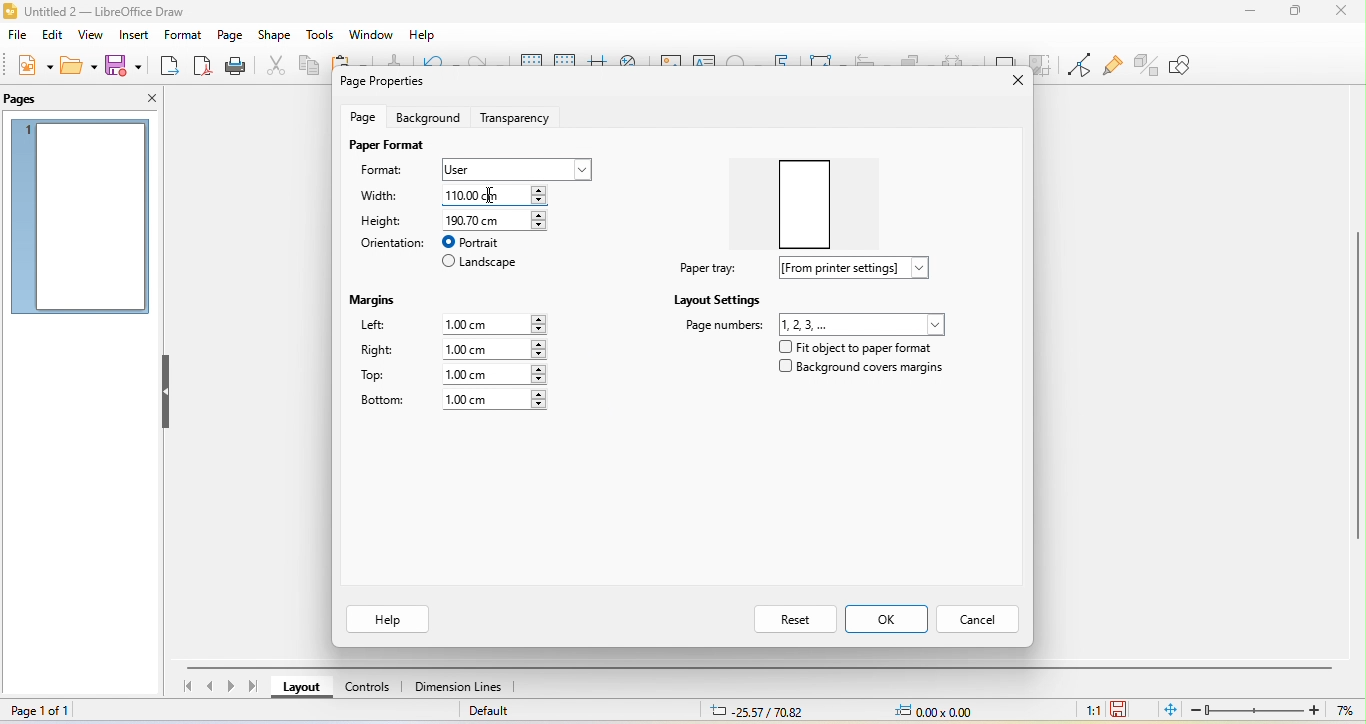 This screenshot has width=1366, height=724. Describe the element at coordinates (382, 401) in the screenshot. I see `bottom` at that location.